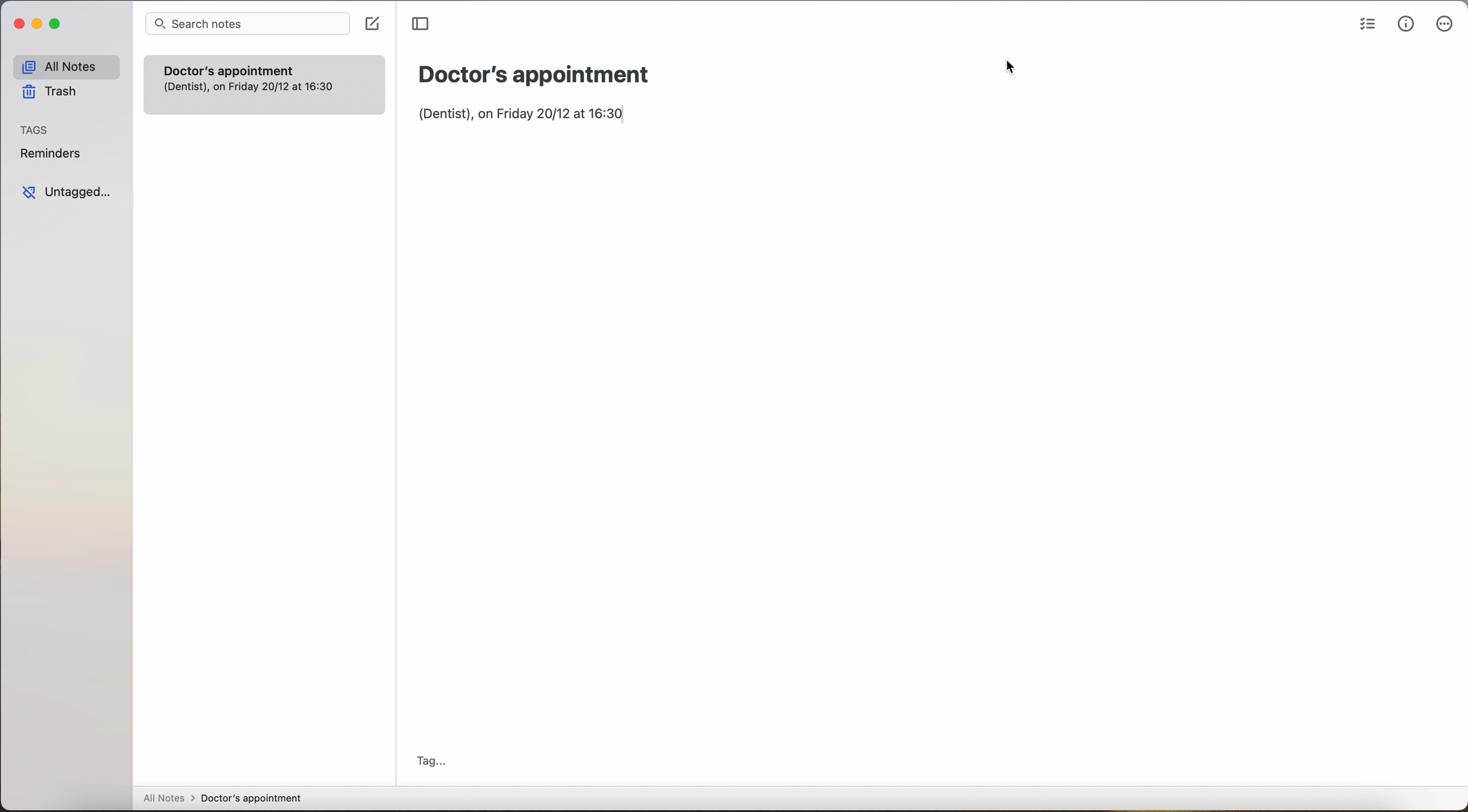  Describe the element at coordinates (435, 758) in the screenshot. I see `Tag...` at that location.